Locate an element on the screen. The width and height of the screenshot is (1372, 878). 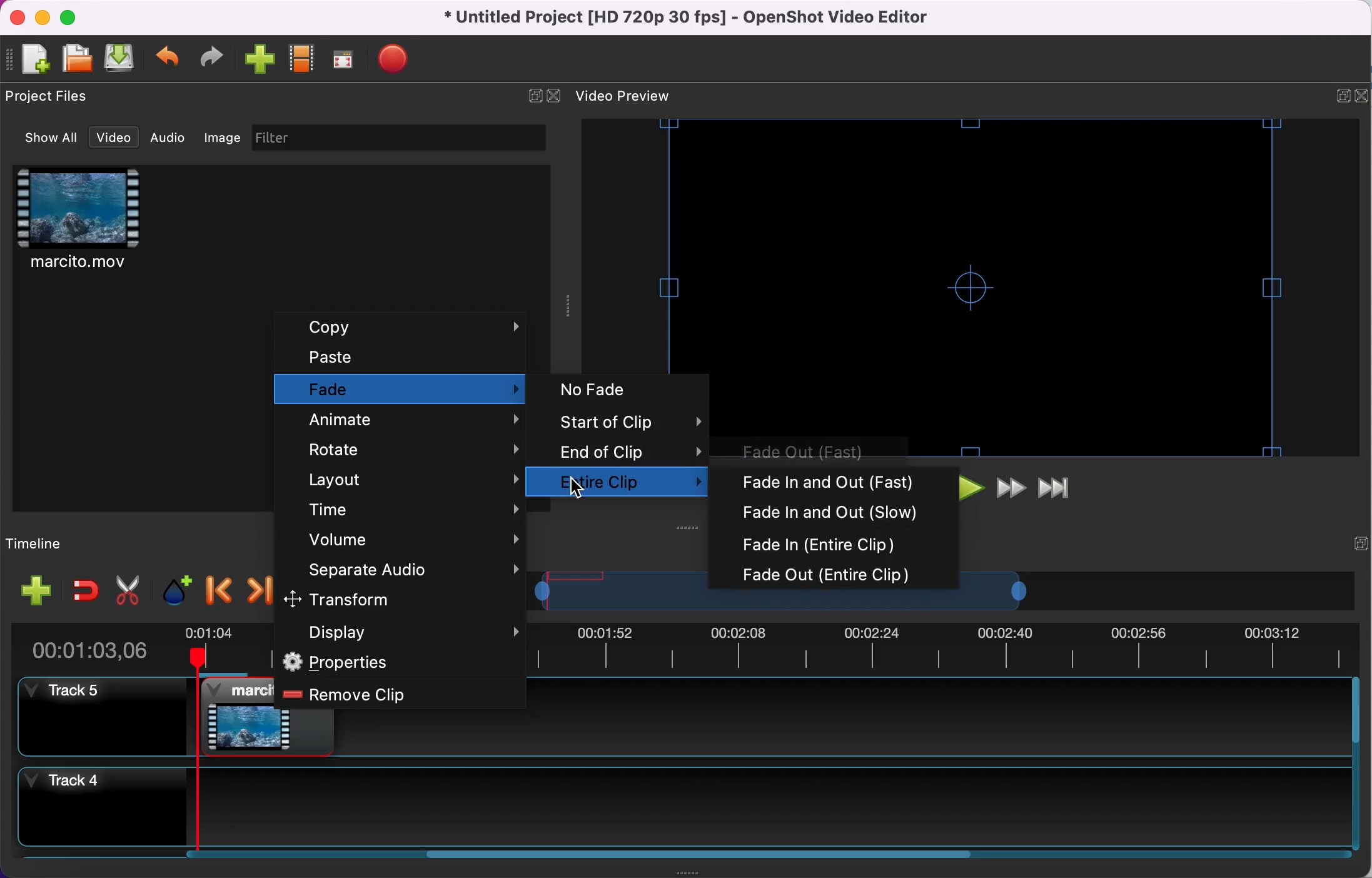
timebar is located at coordinates (944, 647).